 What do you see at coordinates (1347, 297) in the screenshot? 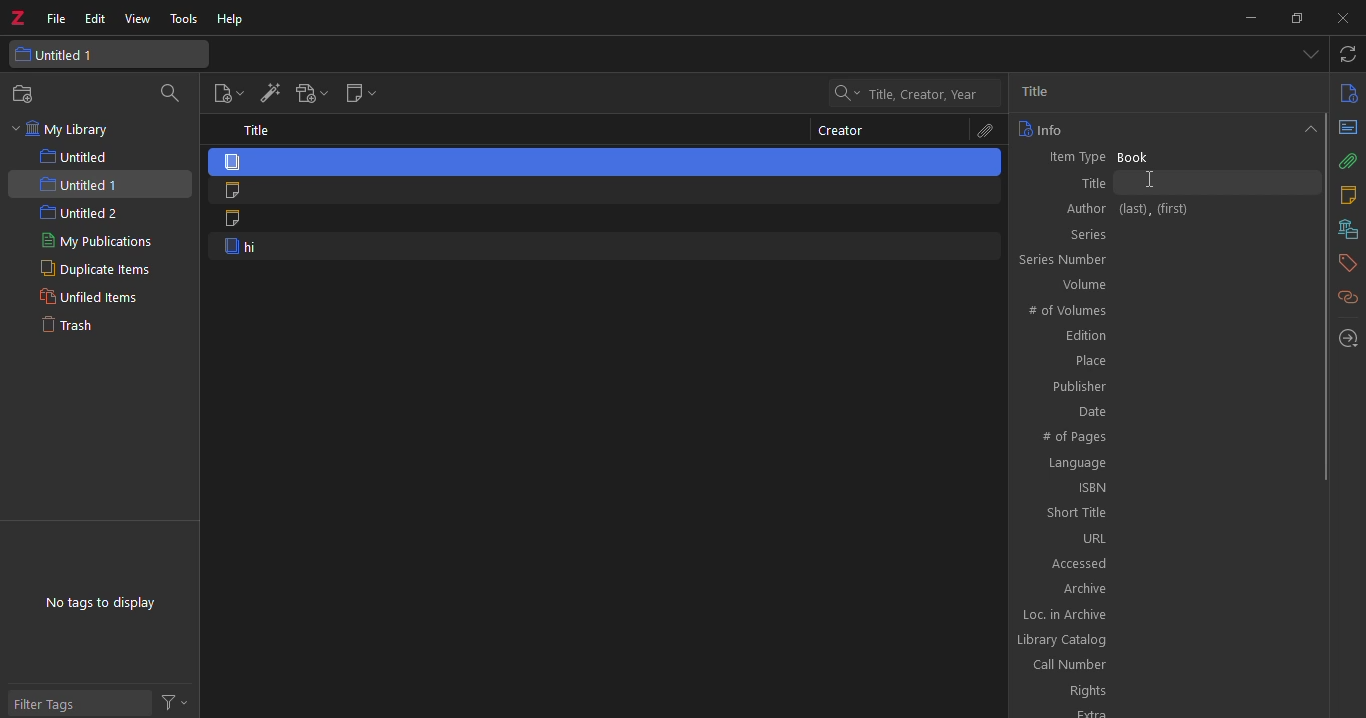
I see `related` at bounding box center [1347, 297].